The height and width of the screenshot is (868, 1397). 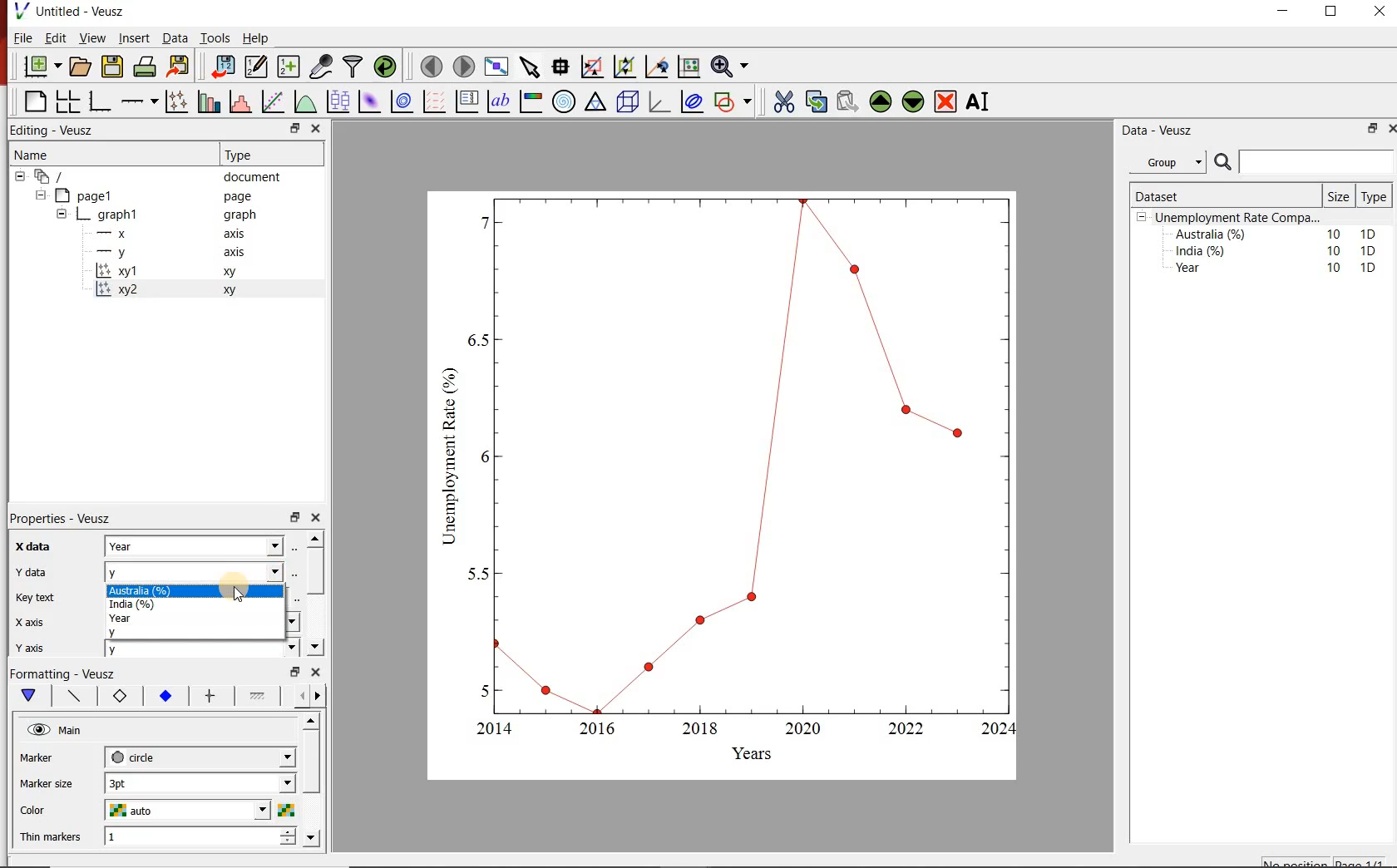 I want to click on collpase, so click(x=1142, y=218).